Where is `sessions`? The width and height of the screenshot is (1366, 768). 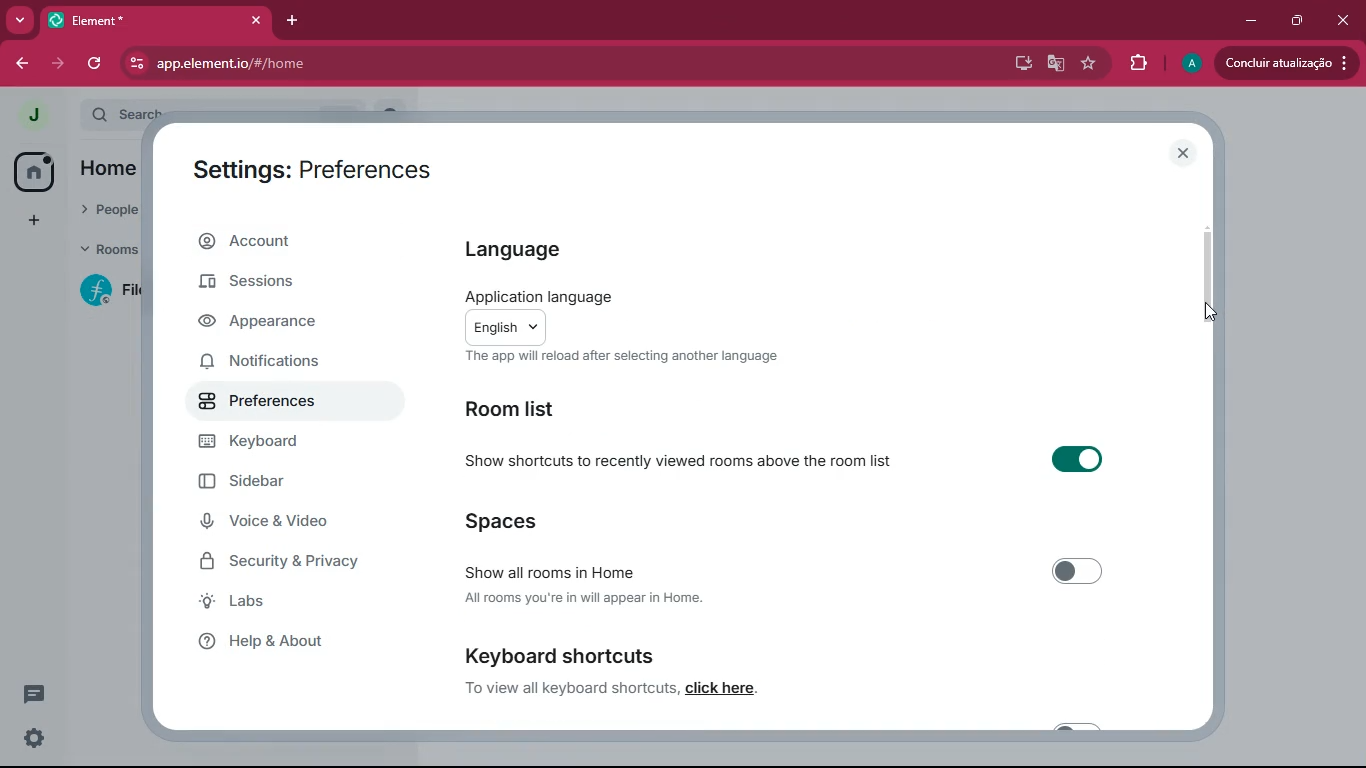 sessions is located at coordinates (282, 284).